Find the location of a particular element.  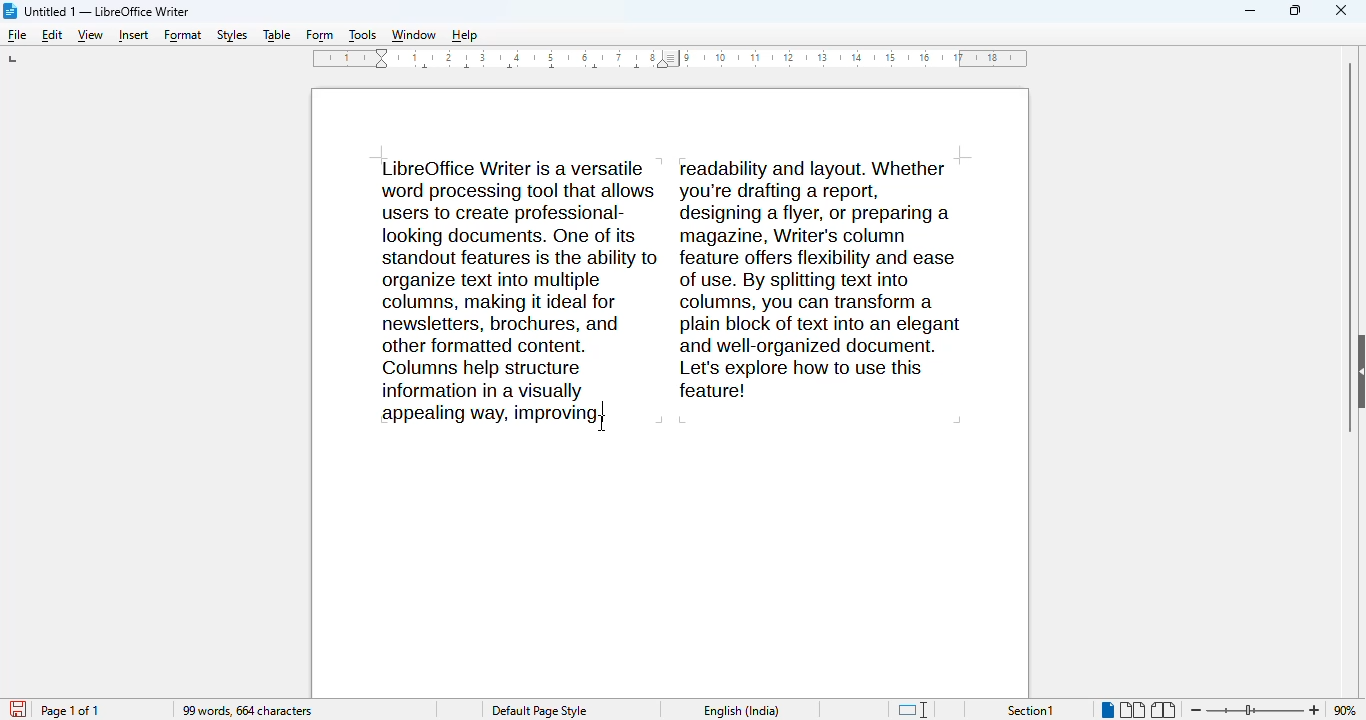

section 1 is located at coordinates (1031, 711).